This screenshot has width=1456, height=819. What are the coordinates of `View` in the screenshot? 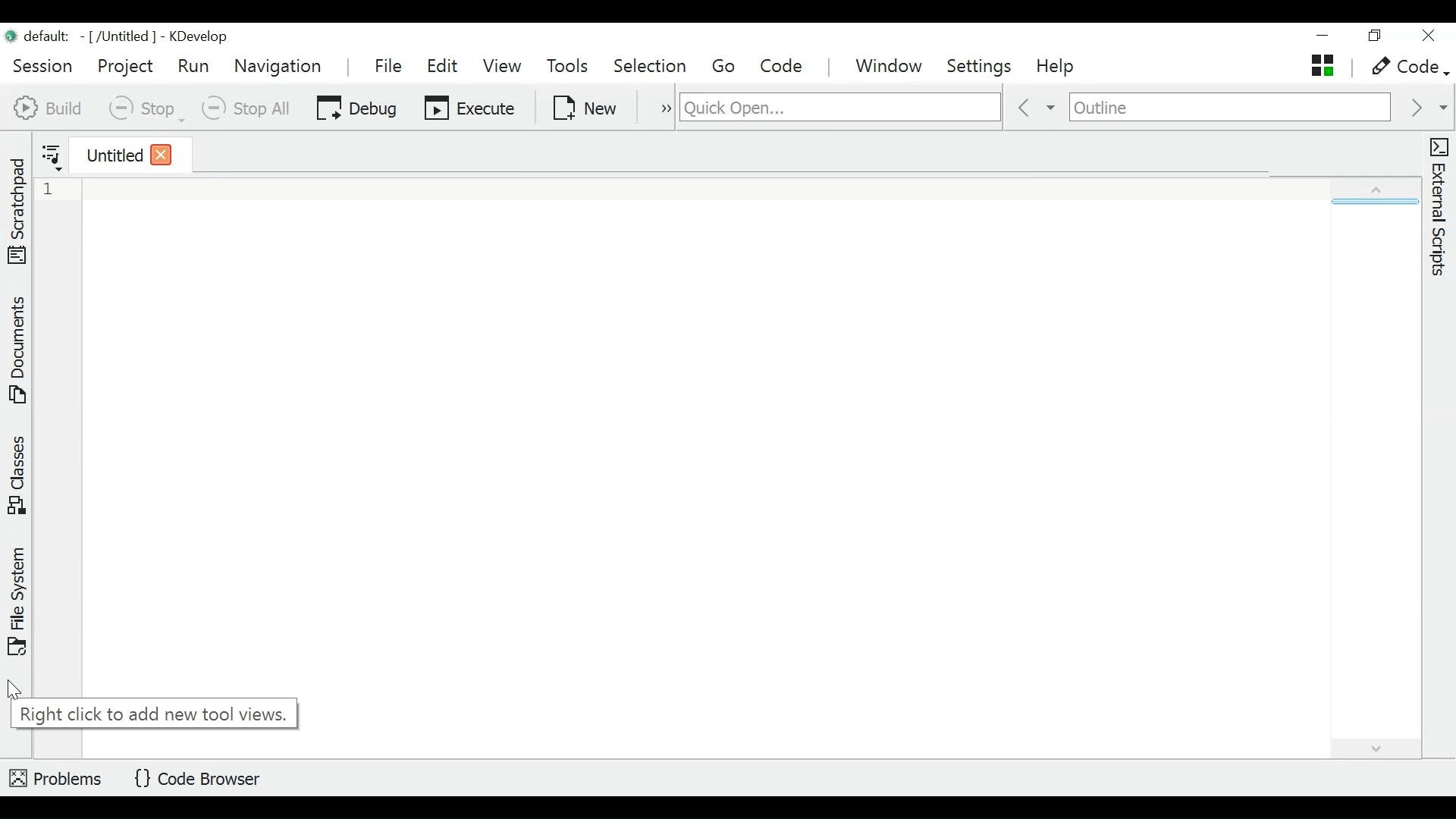 It's located at (503, 66).